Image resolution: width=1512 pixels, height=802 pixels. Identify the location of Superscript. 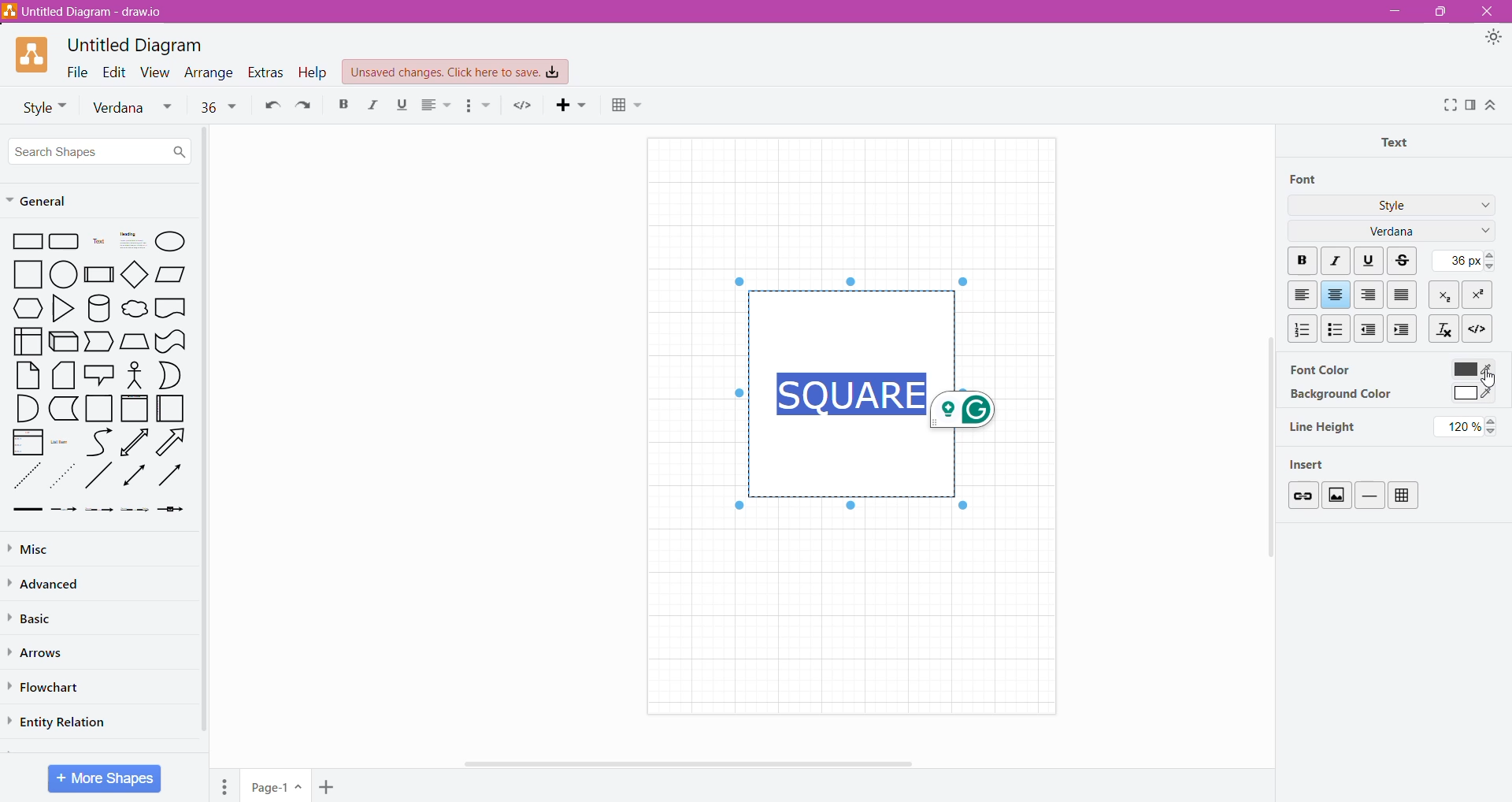
(1477, 295).